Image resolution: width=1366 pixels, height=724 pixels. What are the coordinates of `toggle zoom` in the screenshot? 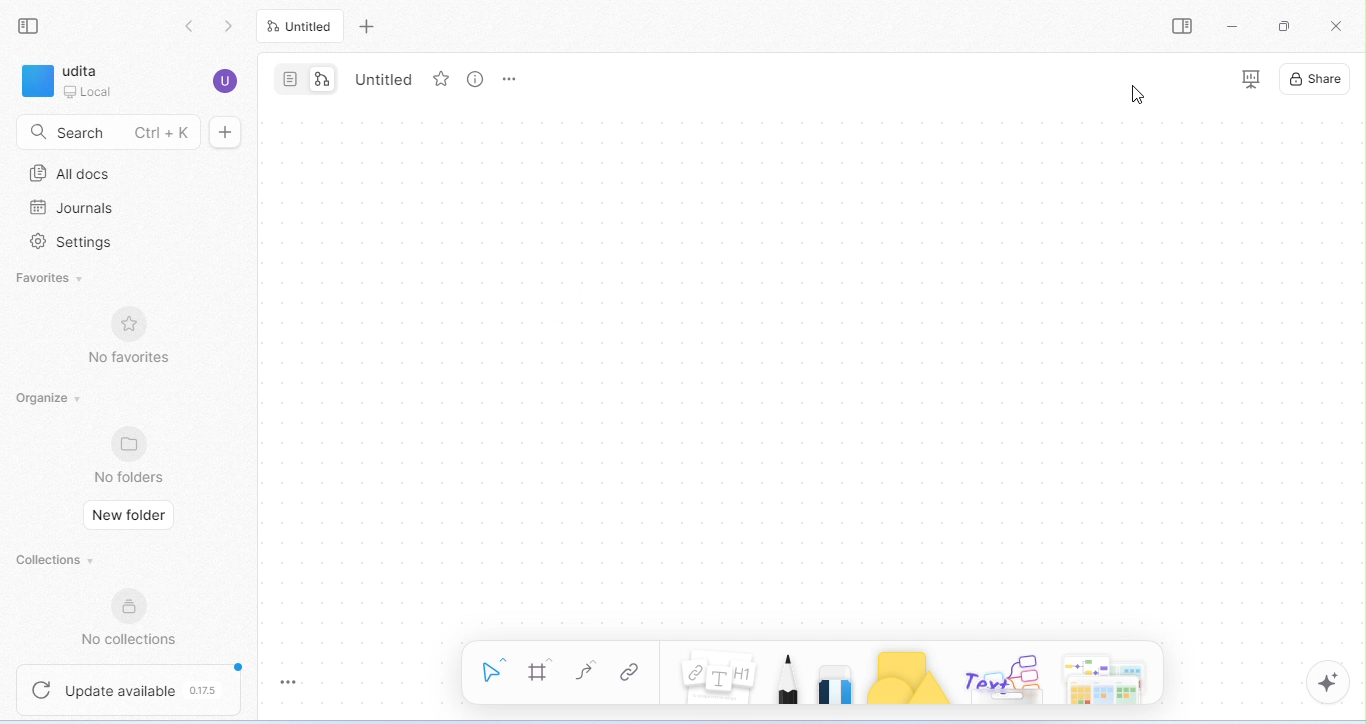 It's located at (289, 678).